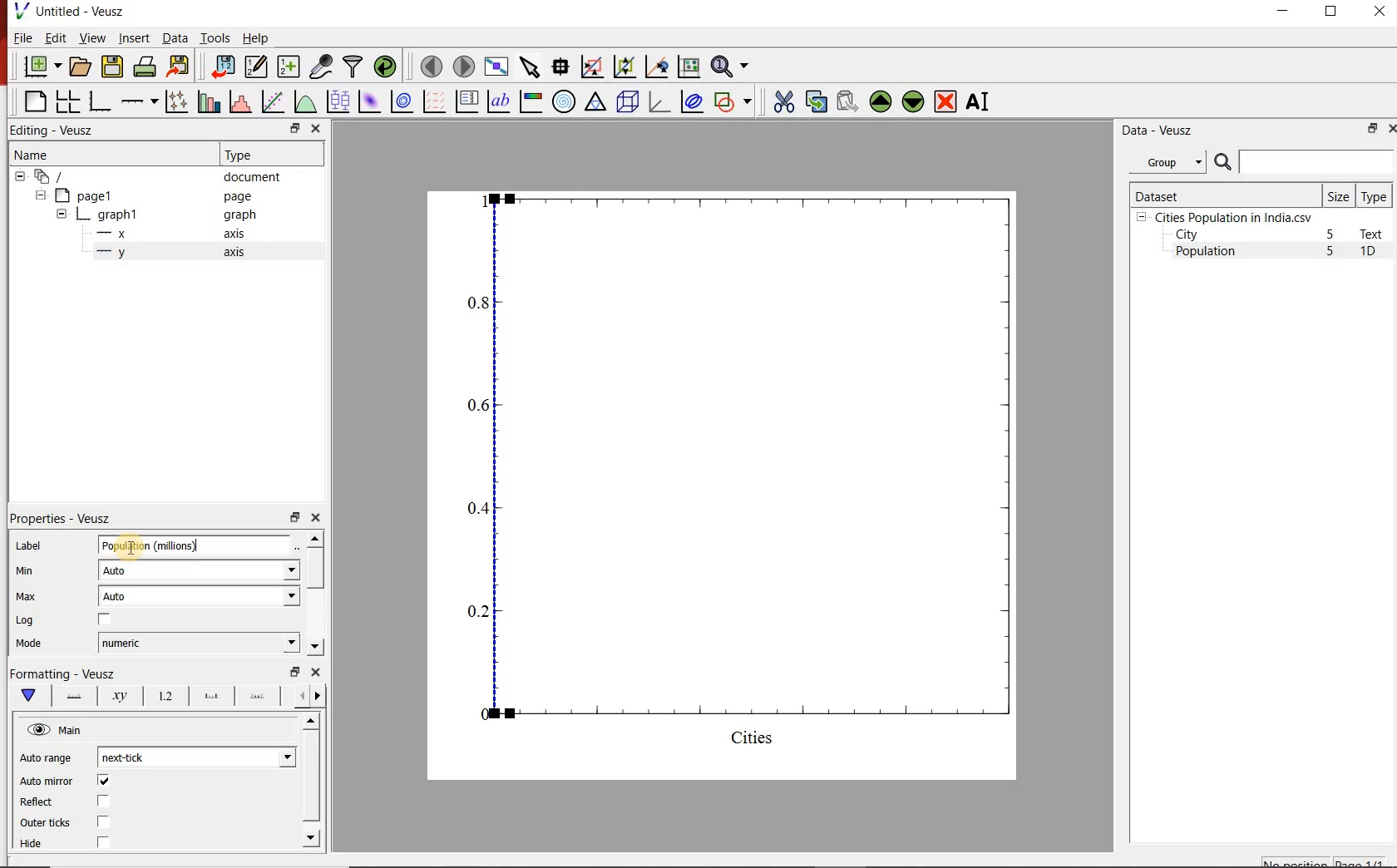 This screenshot has width=1397, height=868. Describe the element at coordinates (947, 101) in the screenshot. I see `remove the selected widgets` at that location.